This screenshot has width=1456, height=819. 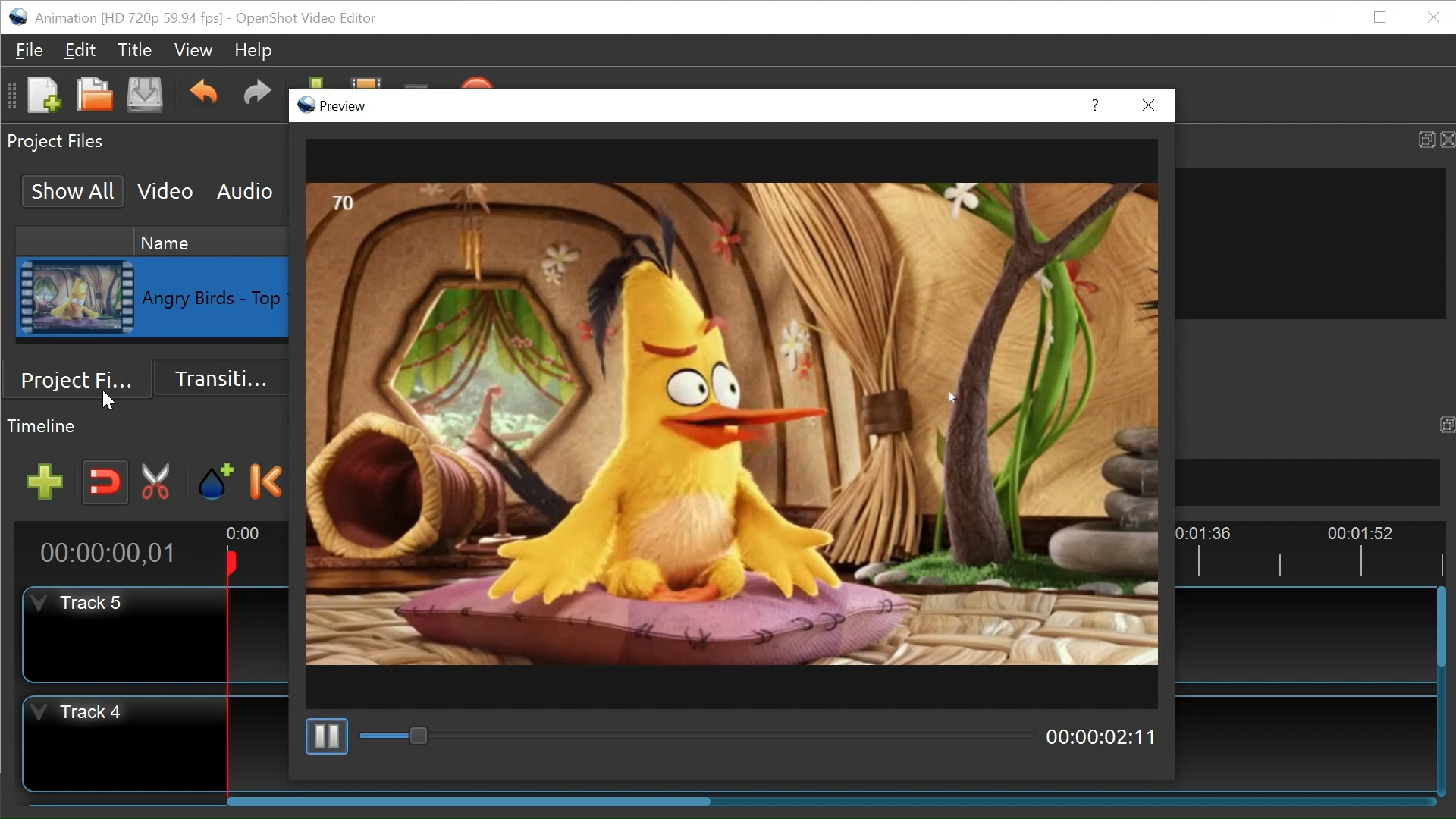 I want to click on New Project, so click(x=42, y=94).